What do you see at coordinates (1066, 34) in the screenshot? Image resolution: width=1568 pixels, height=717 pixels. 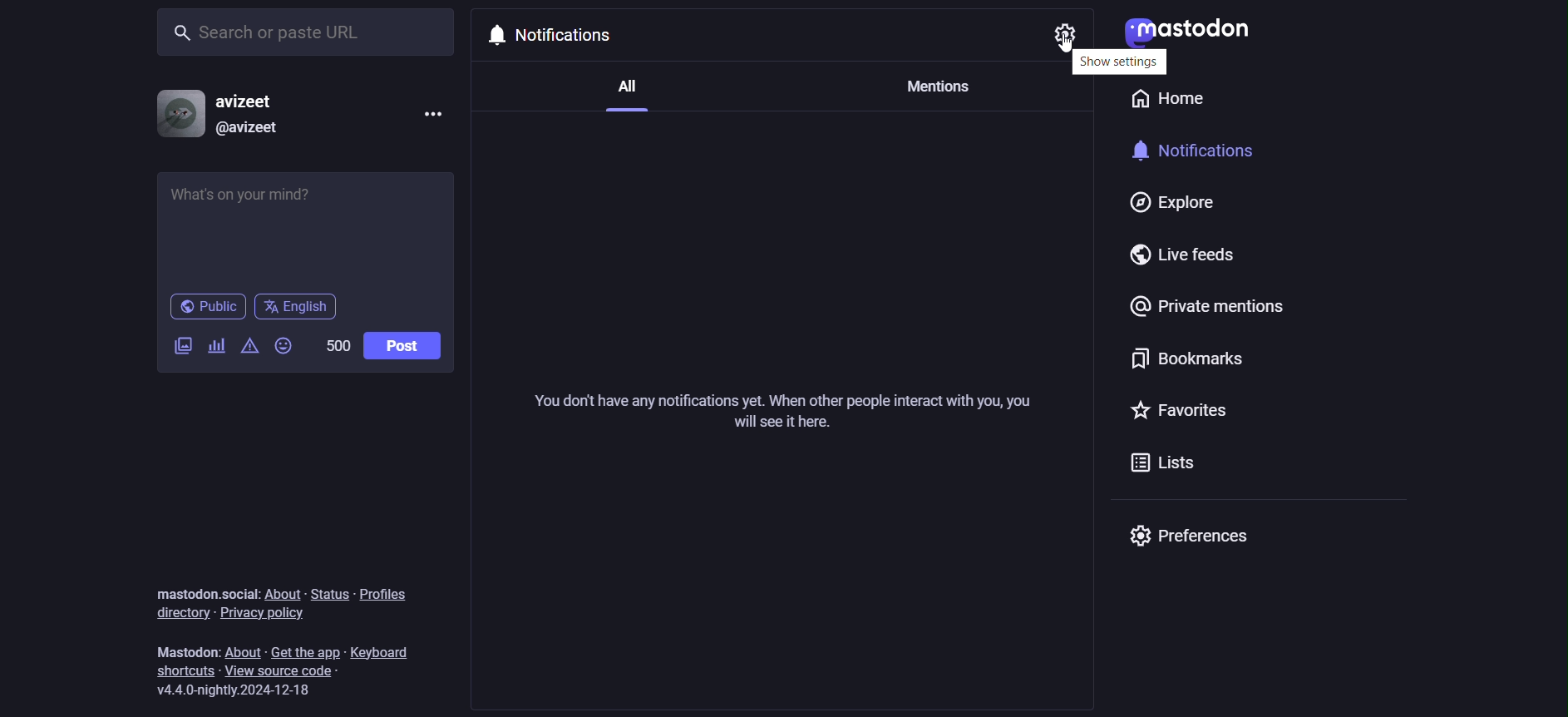 I see `setting` at bounding box center [1066, 34].